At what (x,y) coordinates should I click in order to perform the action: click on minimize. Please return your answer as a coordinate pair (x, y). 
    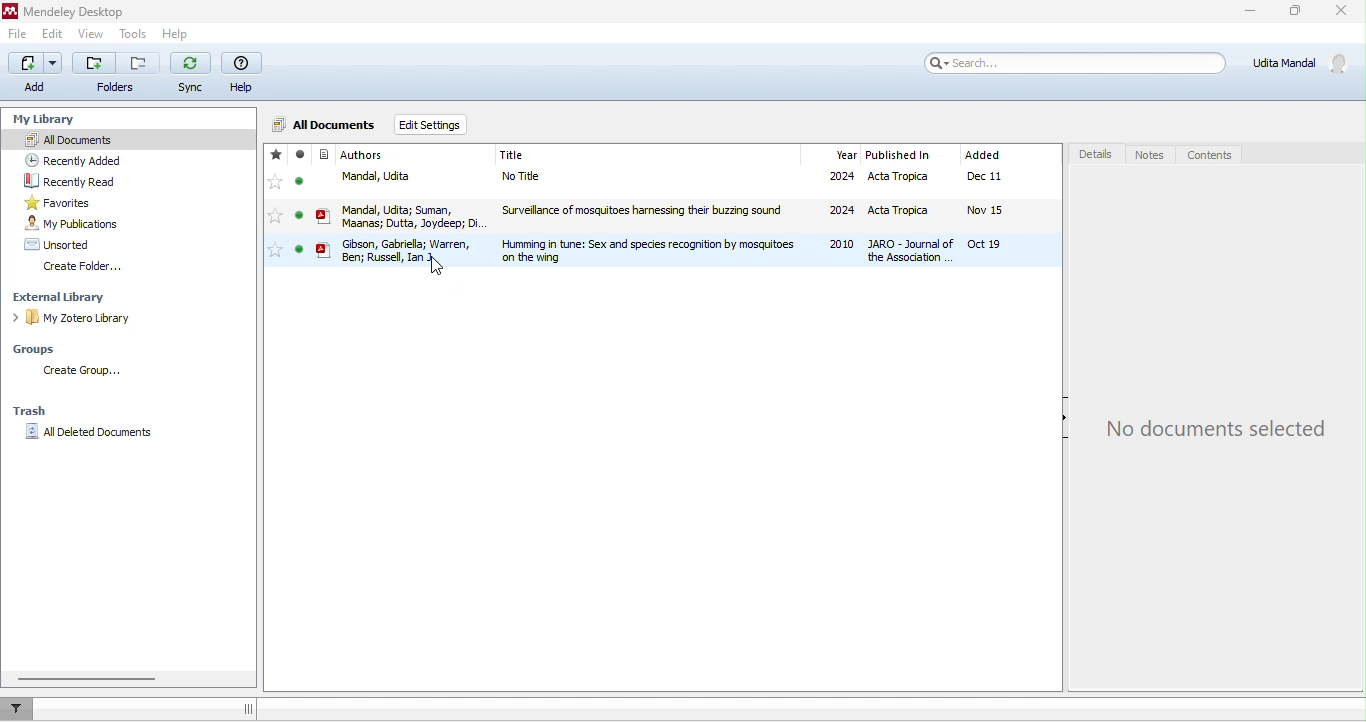
    Looking at the image, I should click on (1243, 13).